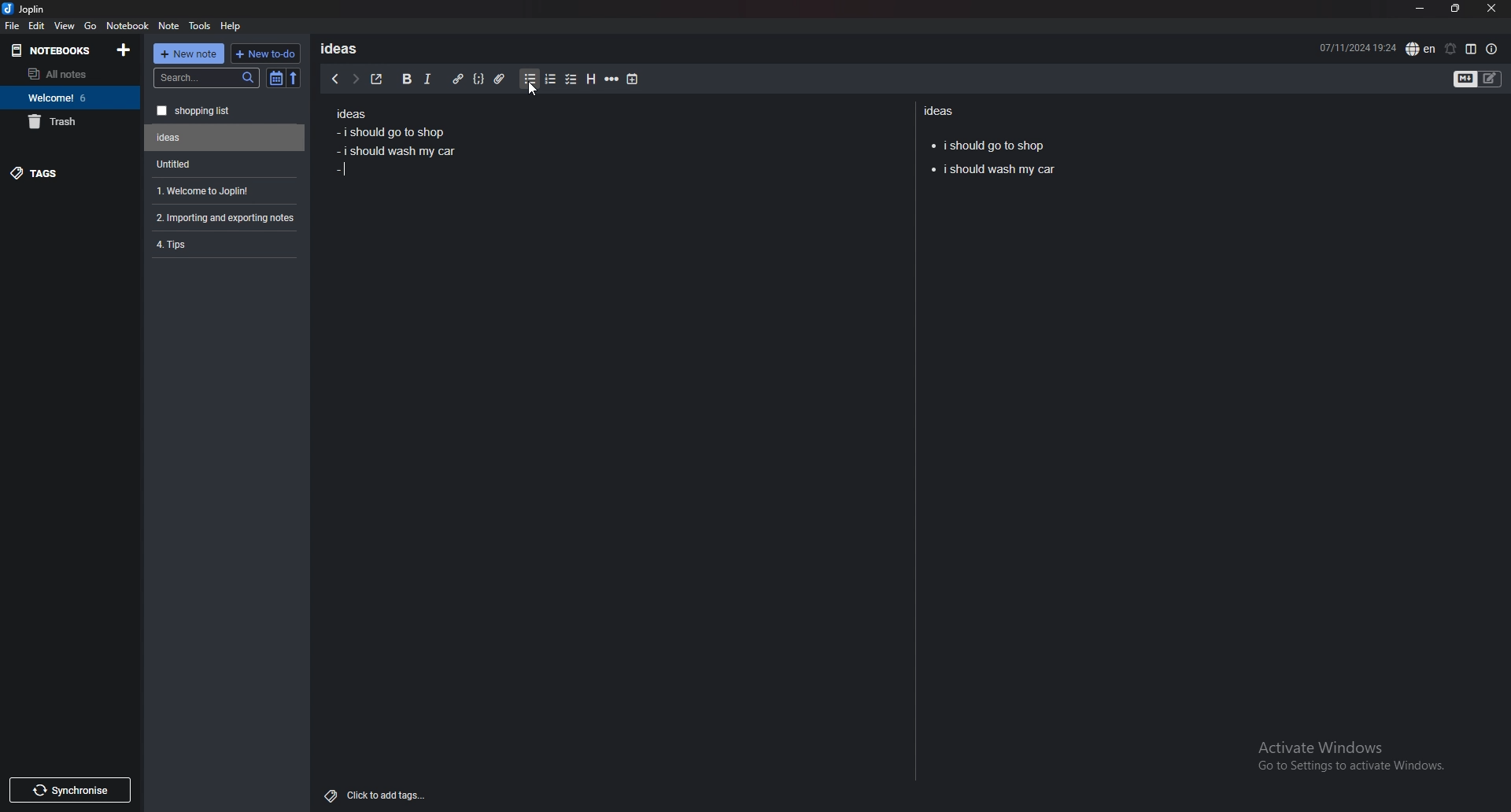  I want to click on Untitled, so click(221, 164).